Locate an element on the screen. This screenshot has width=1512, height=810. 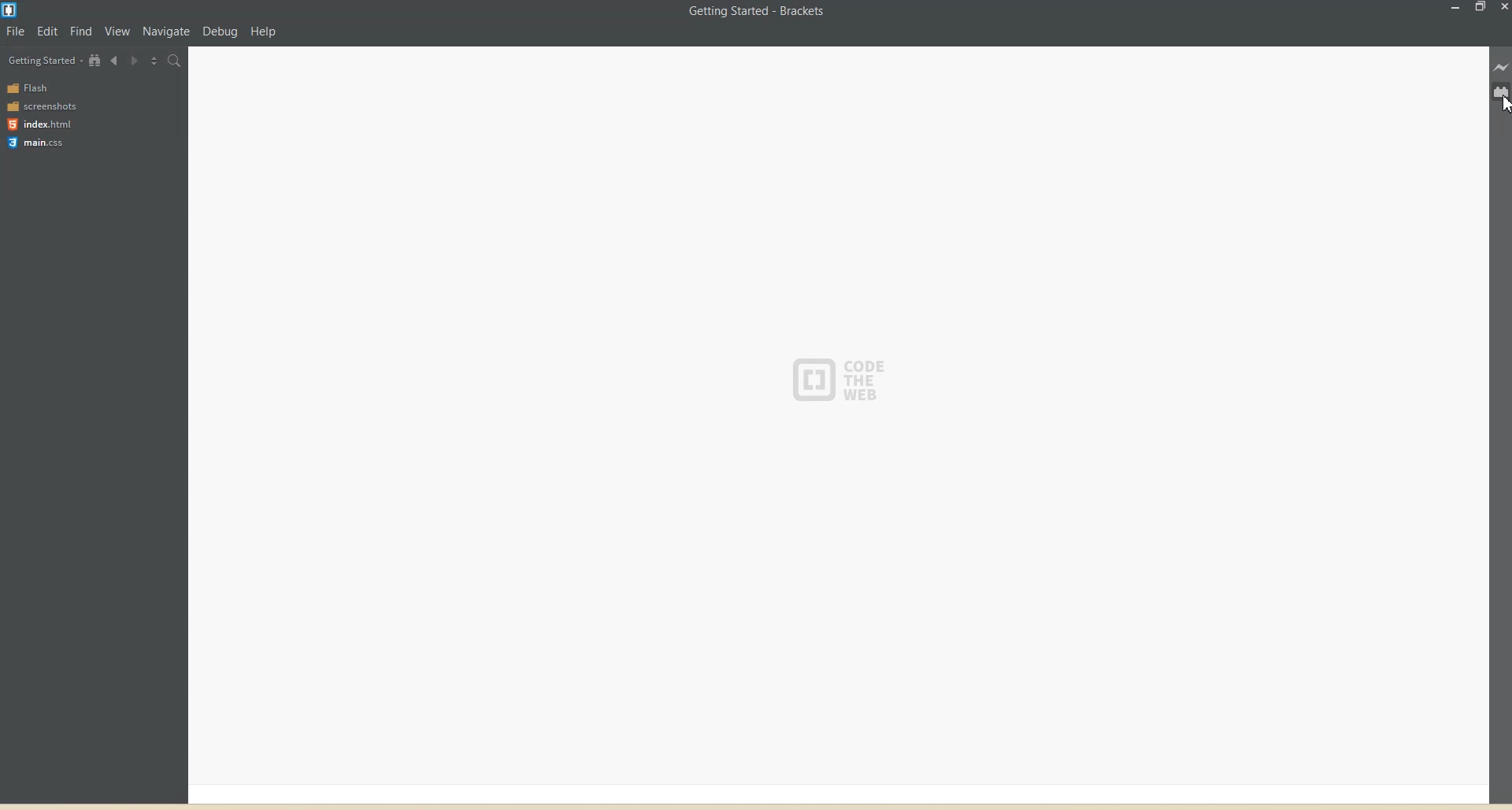
Navigation is located at coordinates (165, 32).